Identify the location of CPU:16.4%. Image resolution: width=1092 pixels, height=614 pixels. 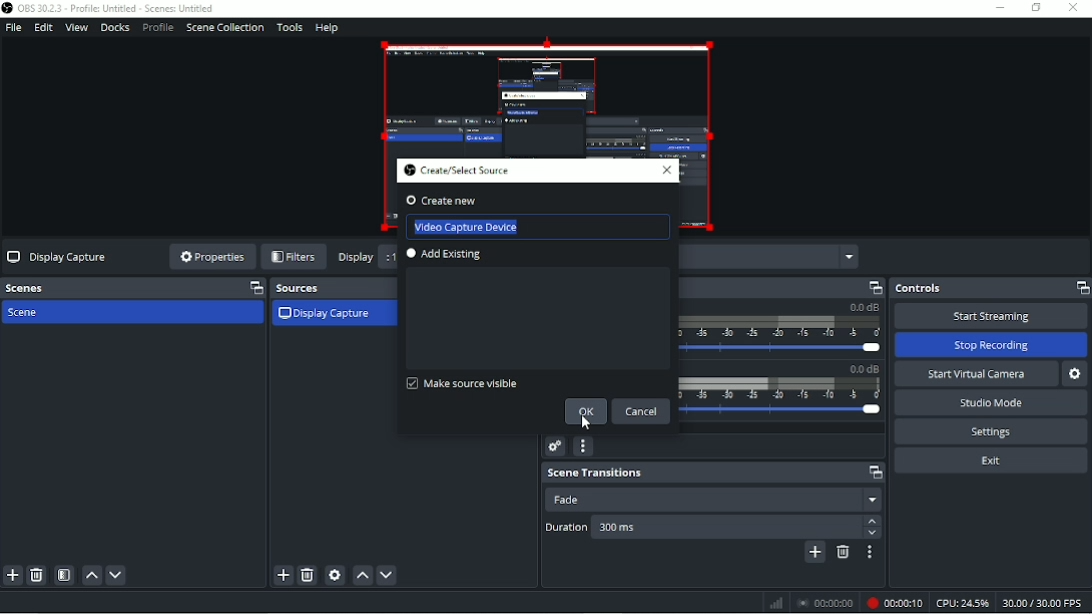
(963, 604).